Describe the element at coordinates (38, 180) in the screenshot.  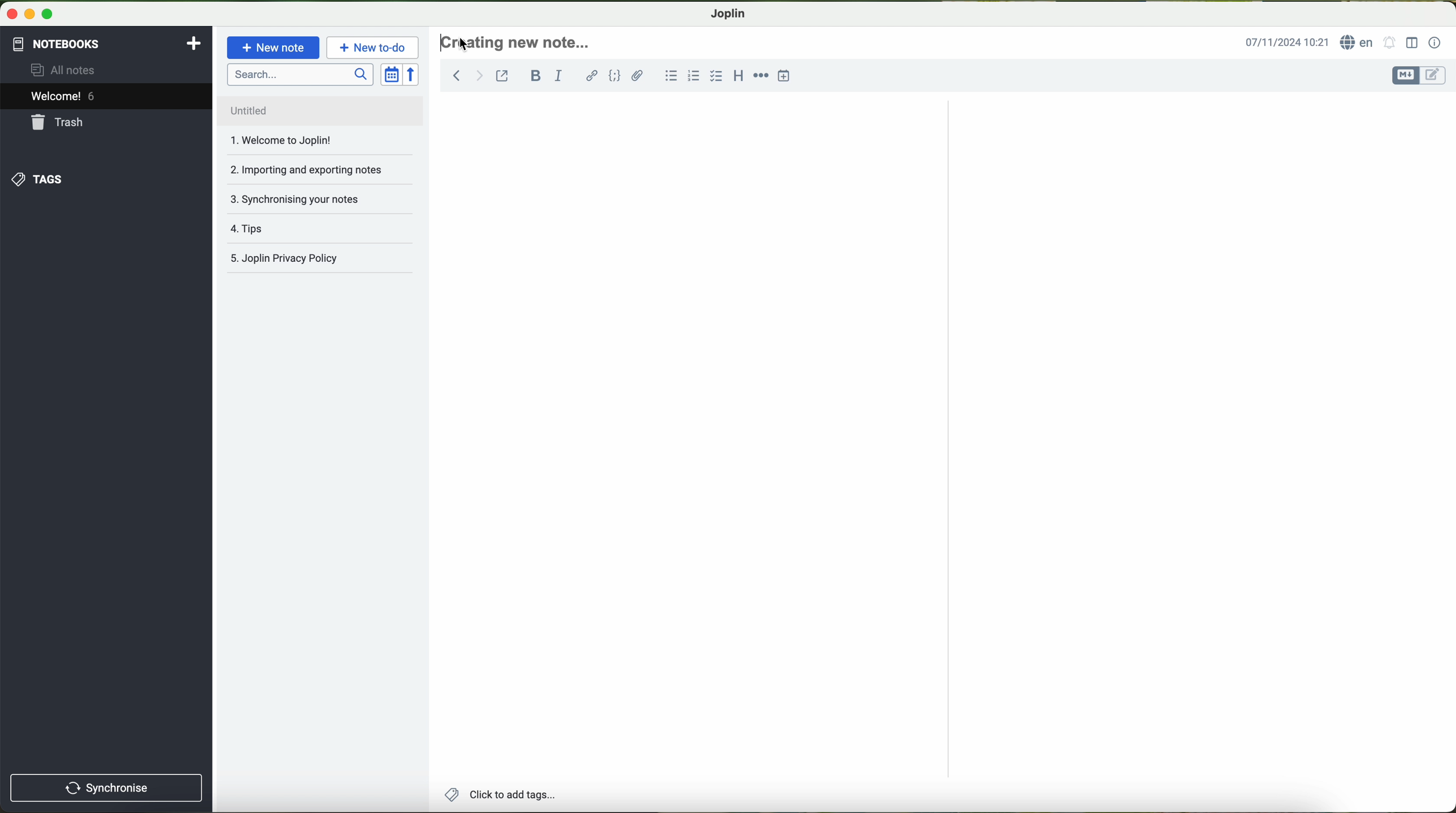
I see `tags` at that location.